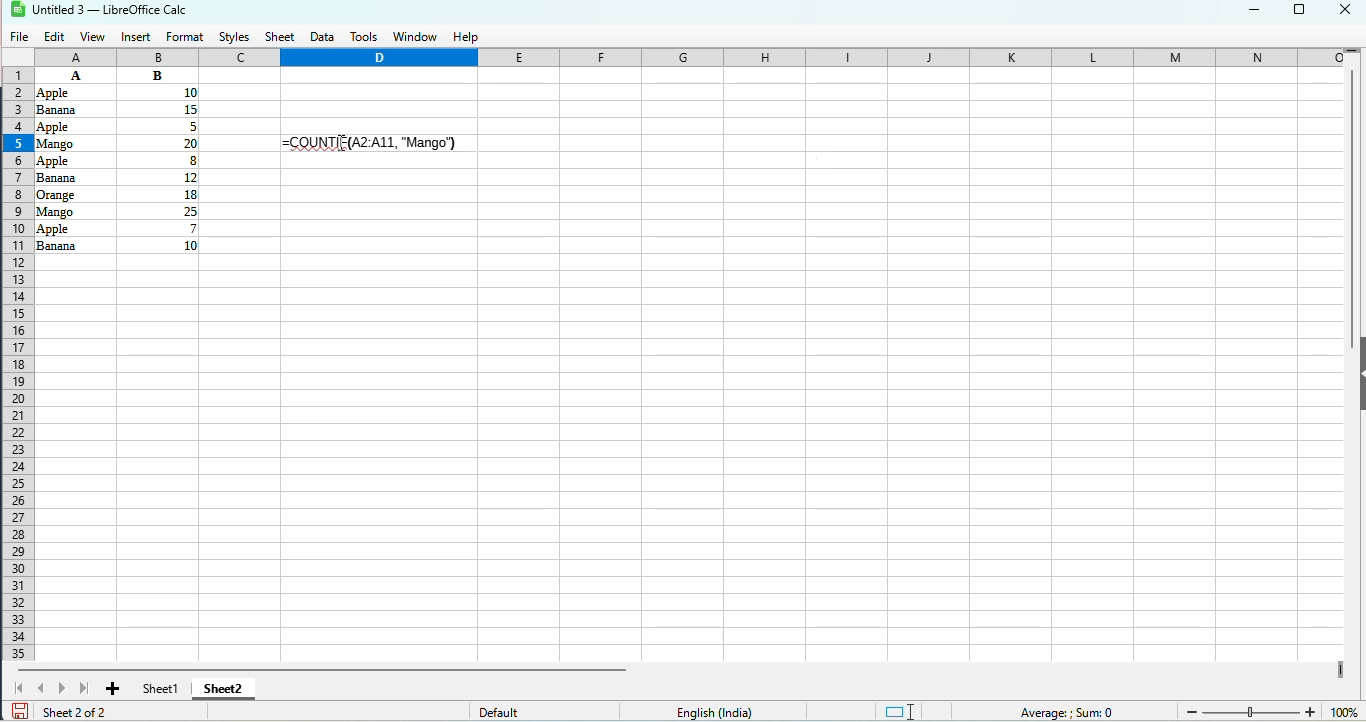 Image resolution: width=1366 pixels, height=722 pixels. What do you see at coordinates (900, 712) in the screenshot?
I see `standard selection` at bounding box center [900, 712].